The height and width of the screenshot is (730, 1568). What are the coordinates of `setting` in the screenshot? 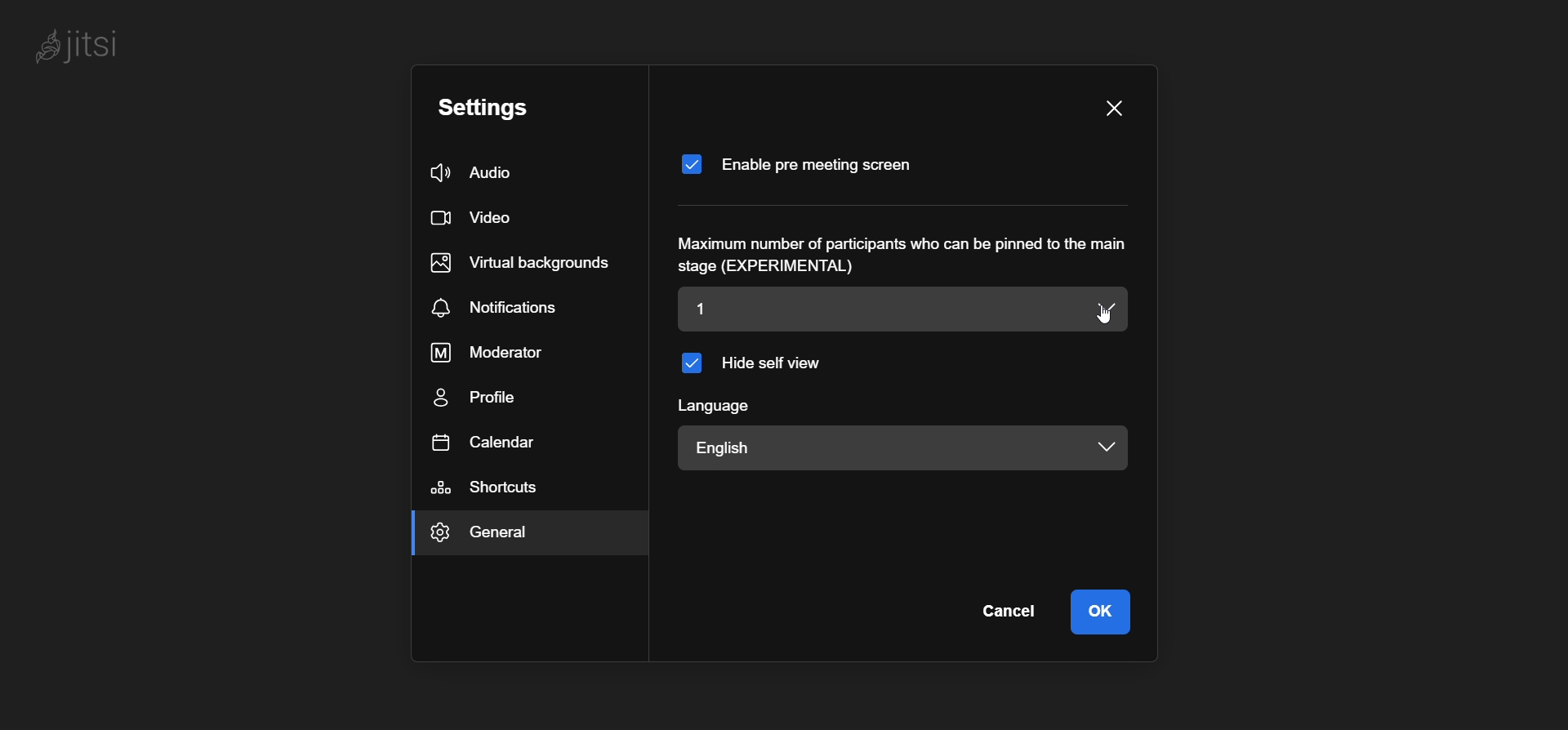 It's located at (485, 108).